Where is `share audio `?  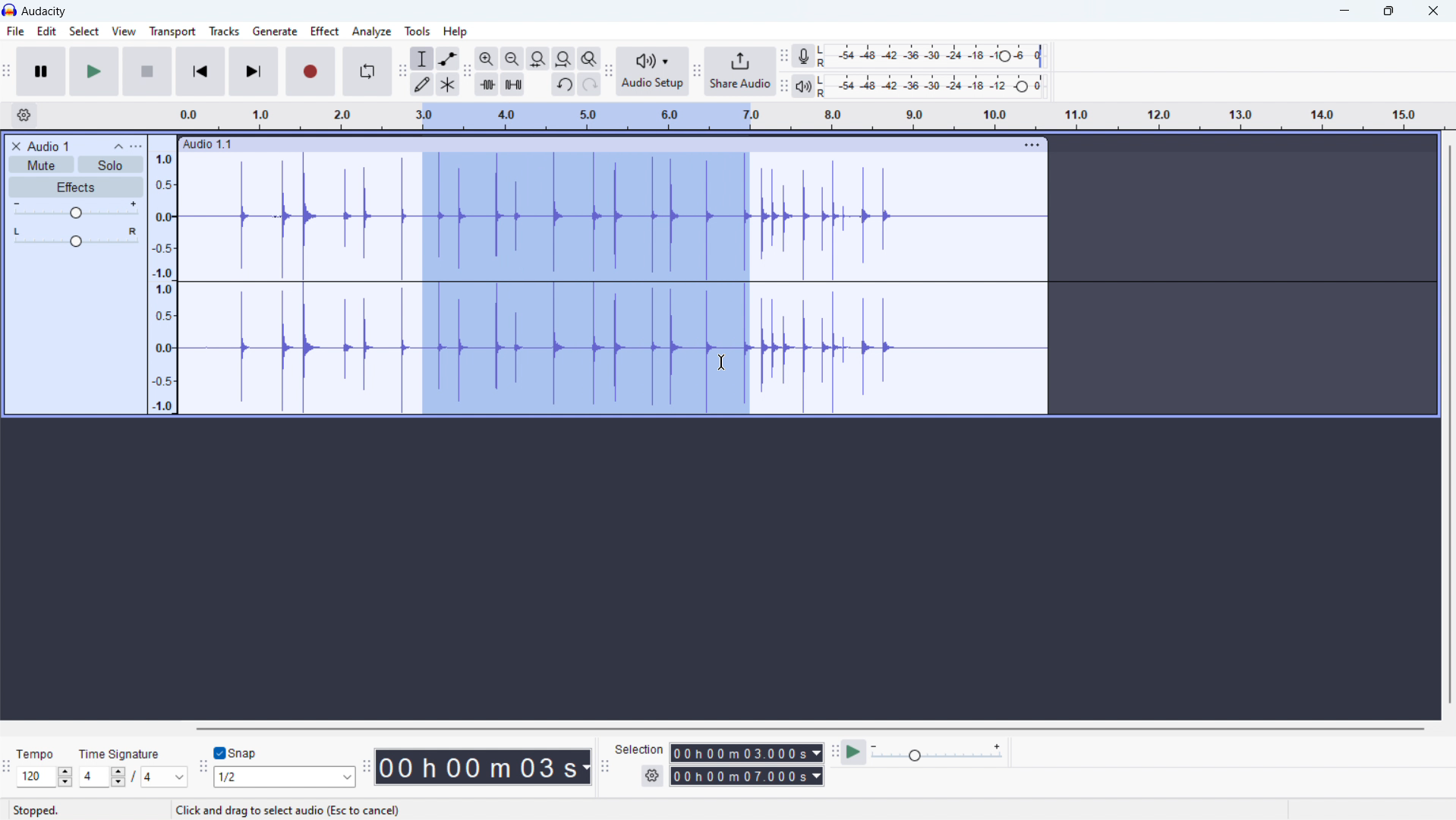
share audio  is located at coordinates (740, 71).